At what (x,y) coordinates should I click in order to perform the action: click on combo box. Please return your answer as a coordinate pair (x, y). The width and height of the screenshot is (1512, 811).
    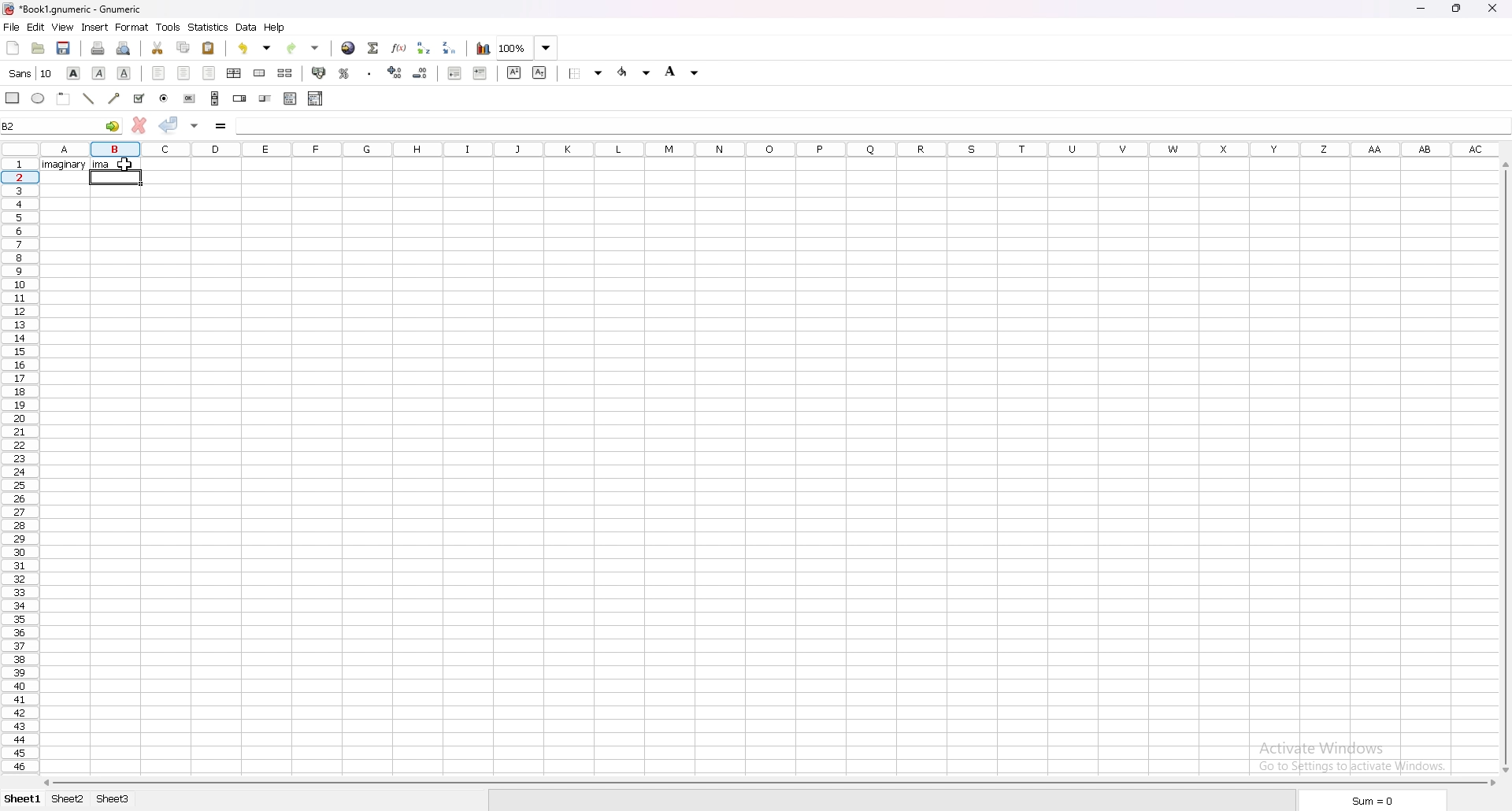
    Looking at the image, I should click on (317, 99).